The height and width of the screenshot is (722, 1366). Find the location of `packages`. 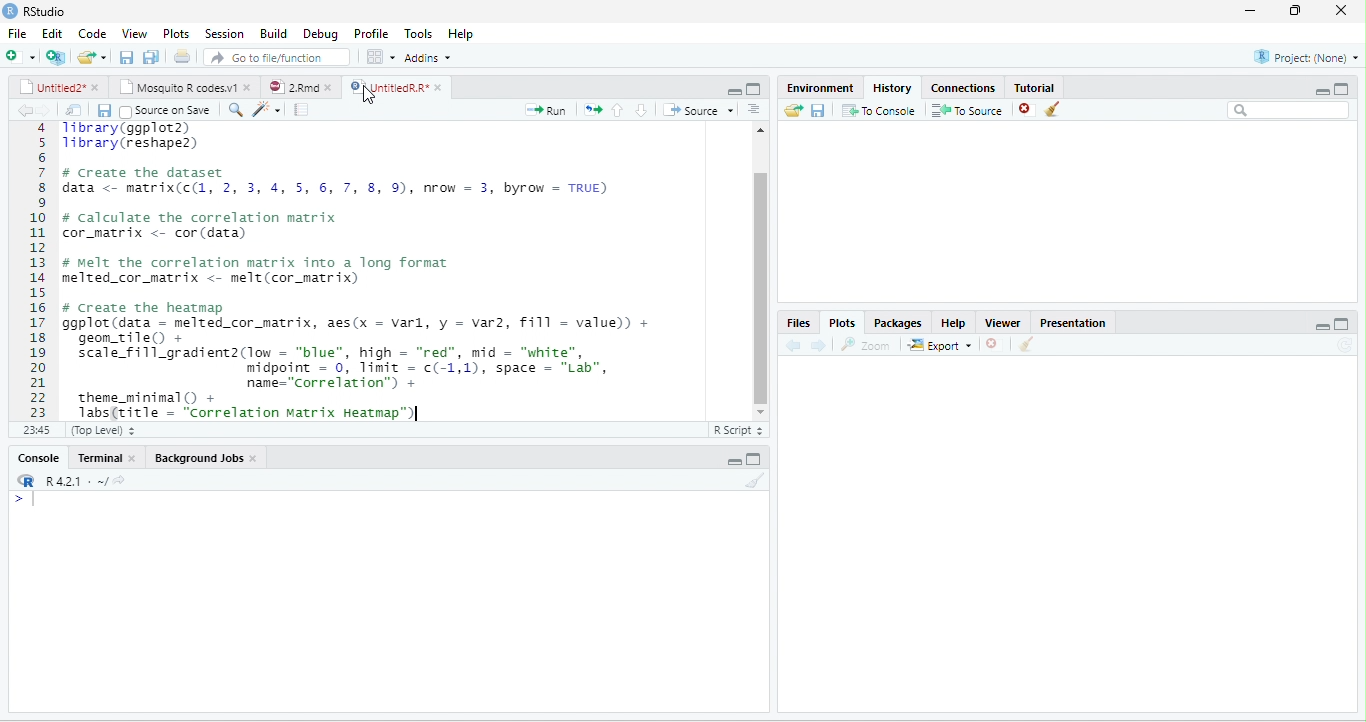

packages is located at coordinates (897, 322).